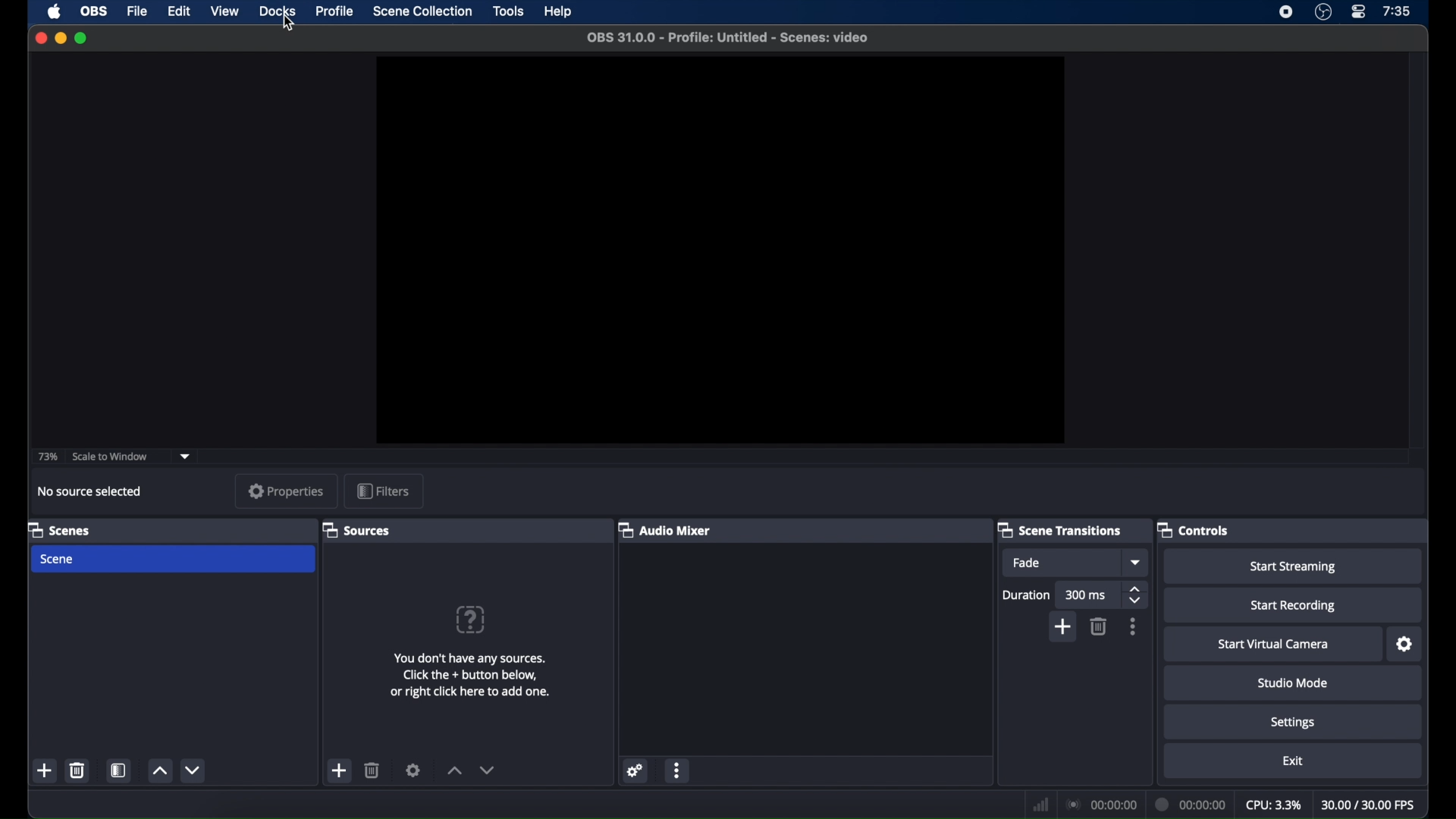  What do you see at coordinates (490, 770) in the screenshot?
I see `decrement` at bounding box center [490, 770].